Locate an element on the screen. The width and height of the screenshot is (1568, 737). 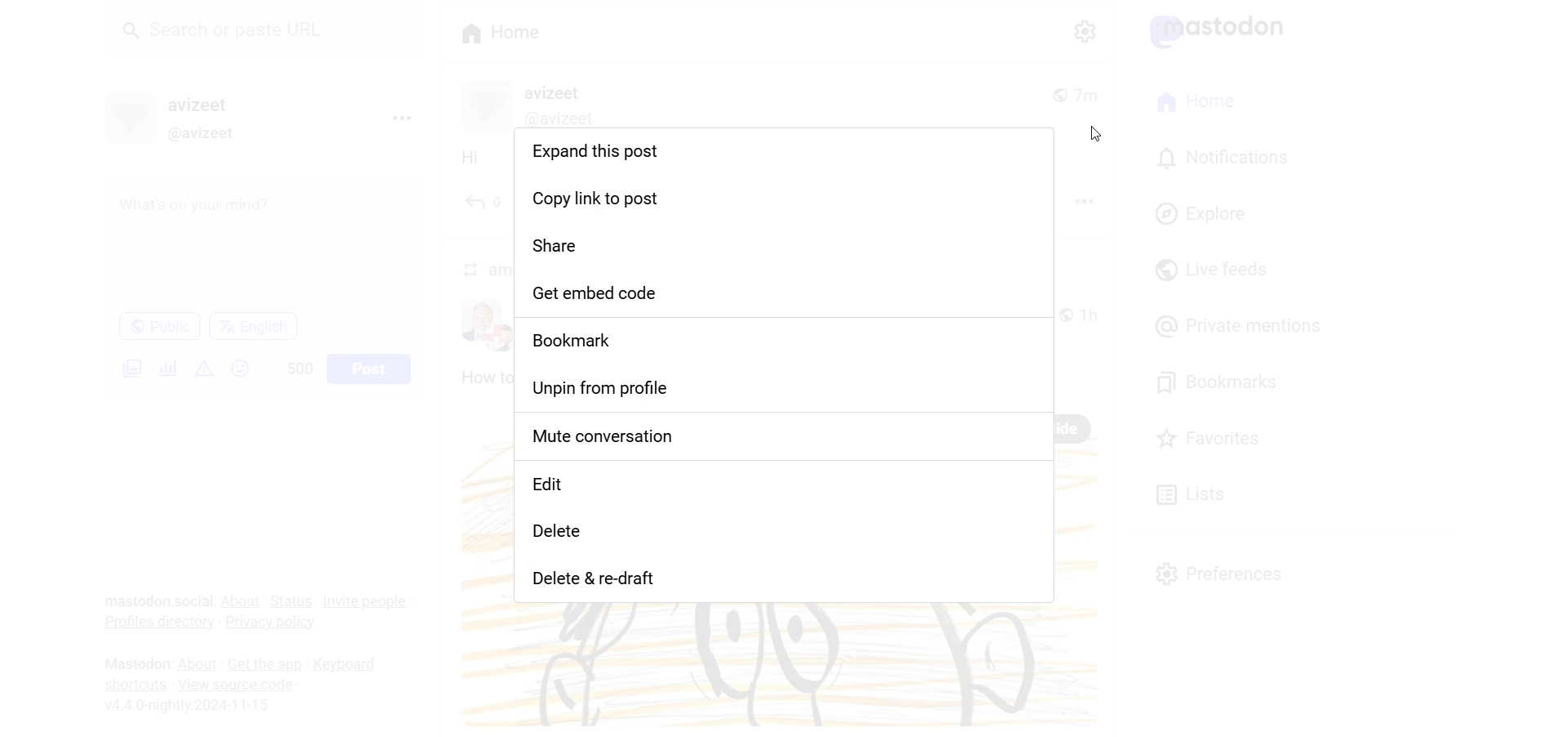
View Source Code is located at coordinates (235, 683).